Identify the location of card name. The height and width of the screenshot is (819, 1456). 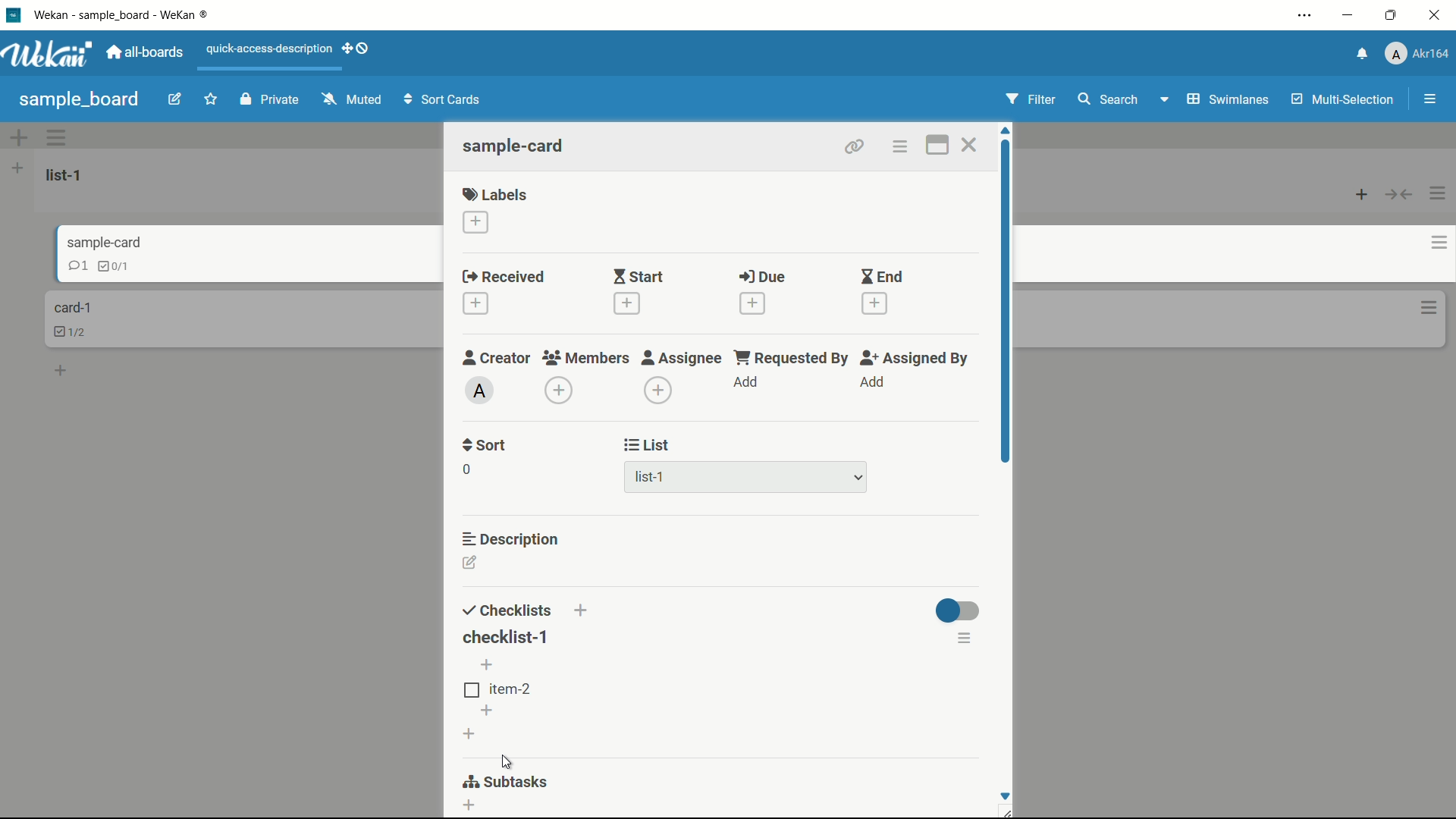
(72, 307).